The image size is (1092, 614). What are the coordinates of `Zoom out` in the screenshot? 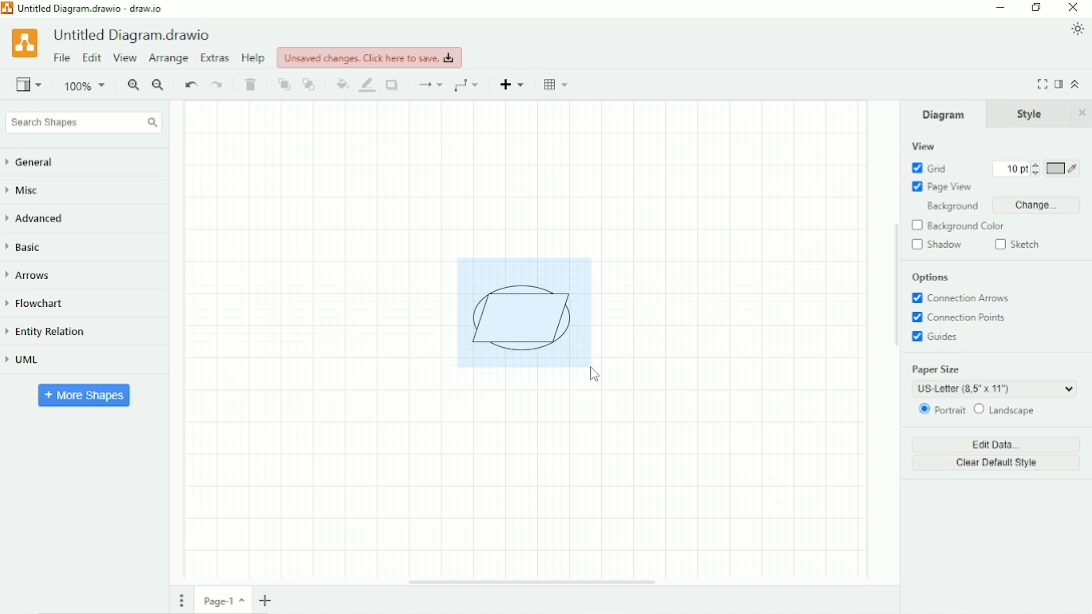 It's located at (159, 86).